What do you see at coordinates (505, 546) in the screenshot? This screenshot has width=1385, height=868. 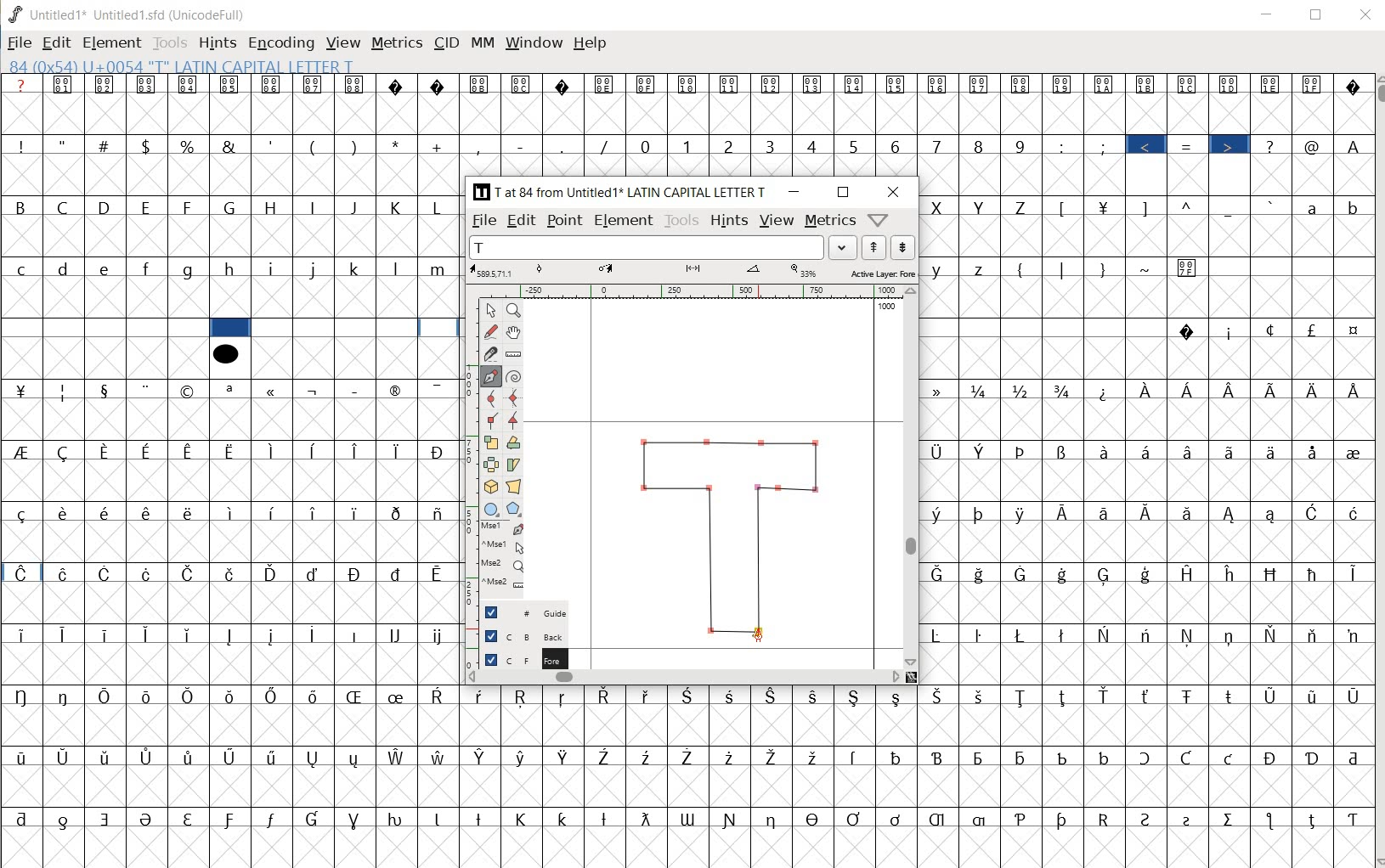 I see `Mouse left button + Ctrl` at bounding box center [505, 546].